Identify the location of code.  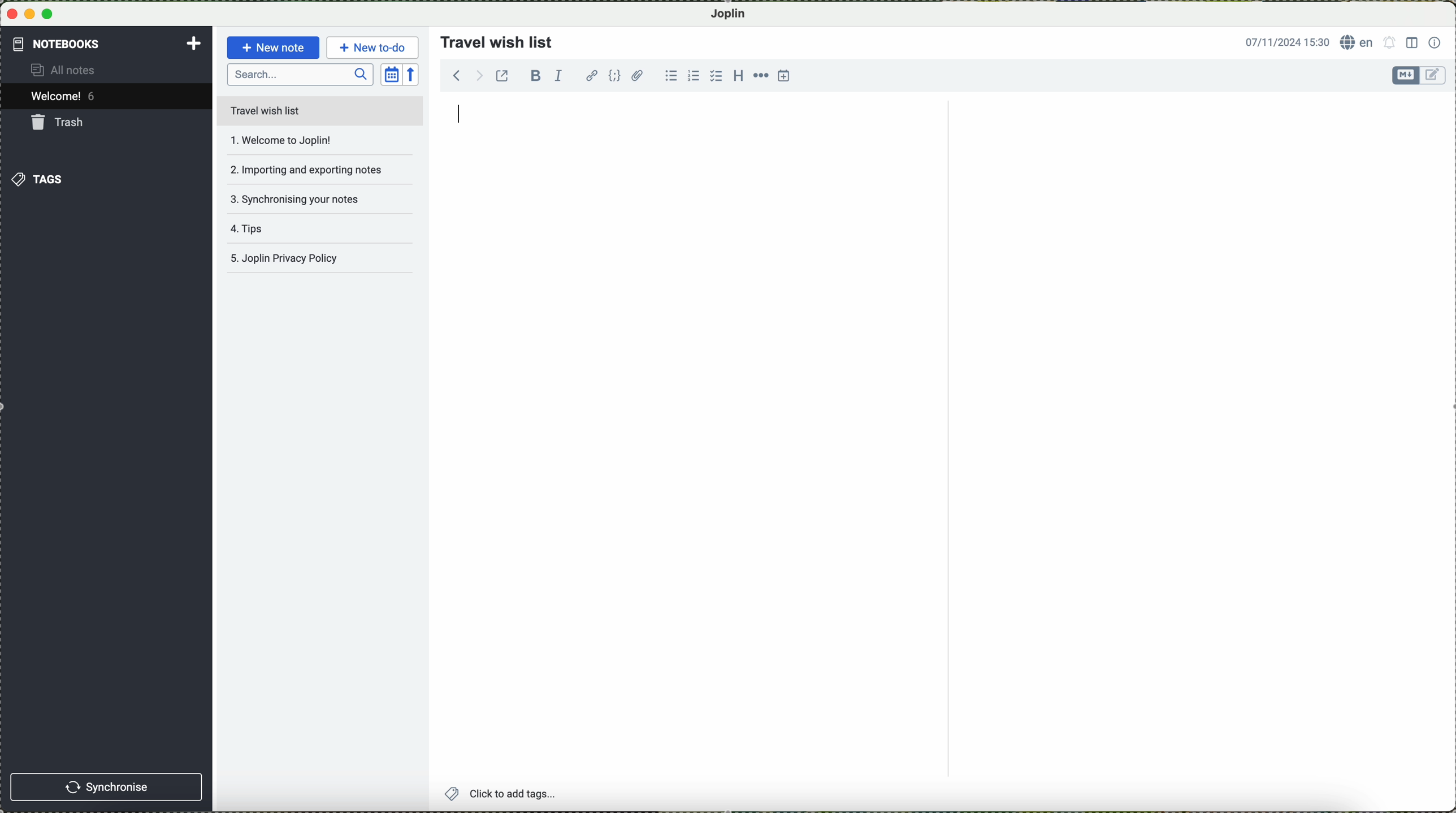
(616, 76).